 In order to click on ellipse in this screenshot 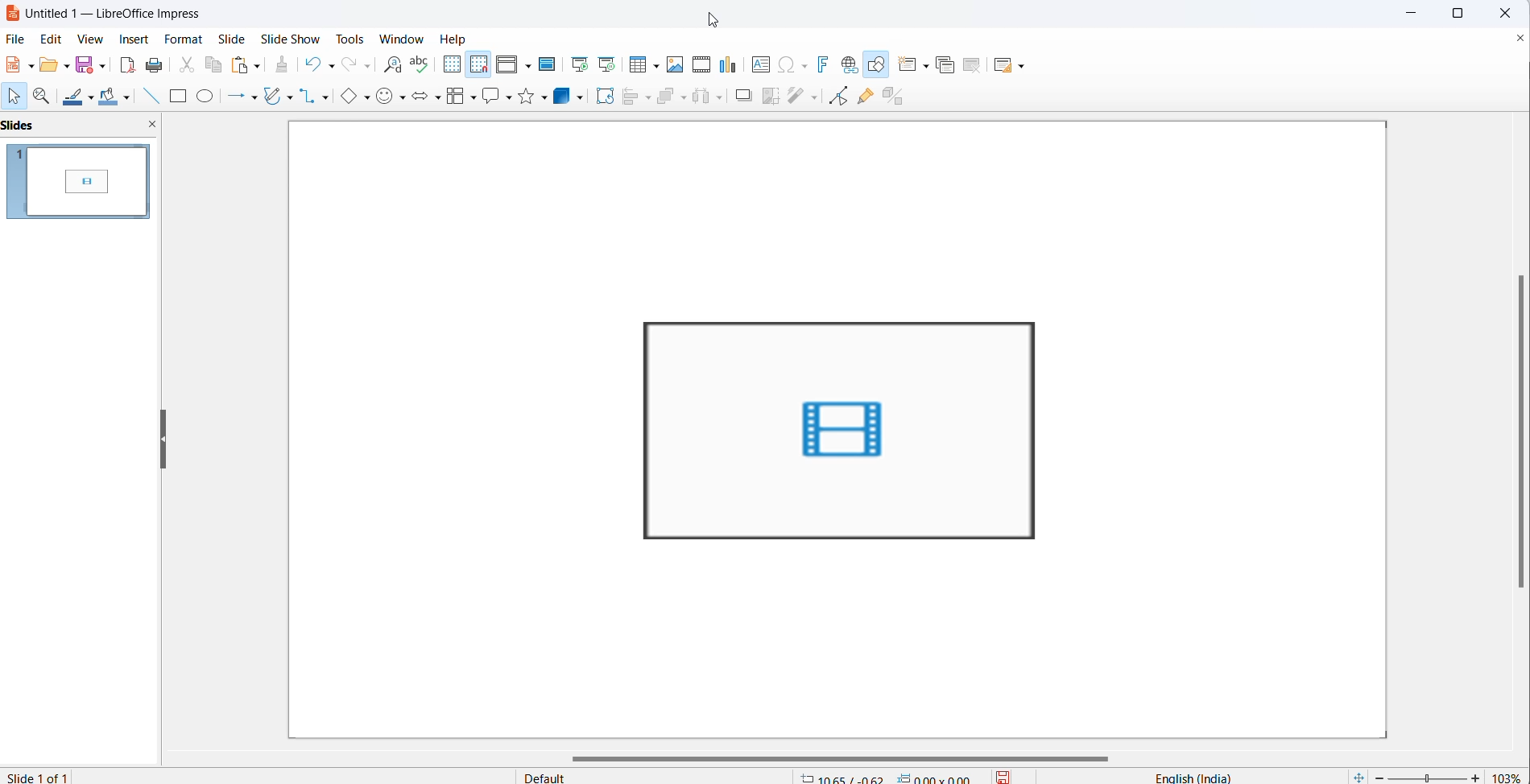, I will do `click(207, 97)`.